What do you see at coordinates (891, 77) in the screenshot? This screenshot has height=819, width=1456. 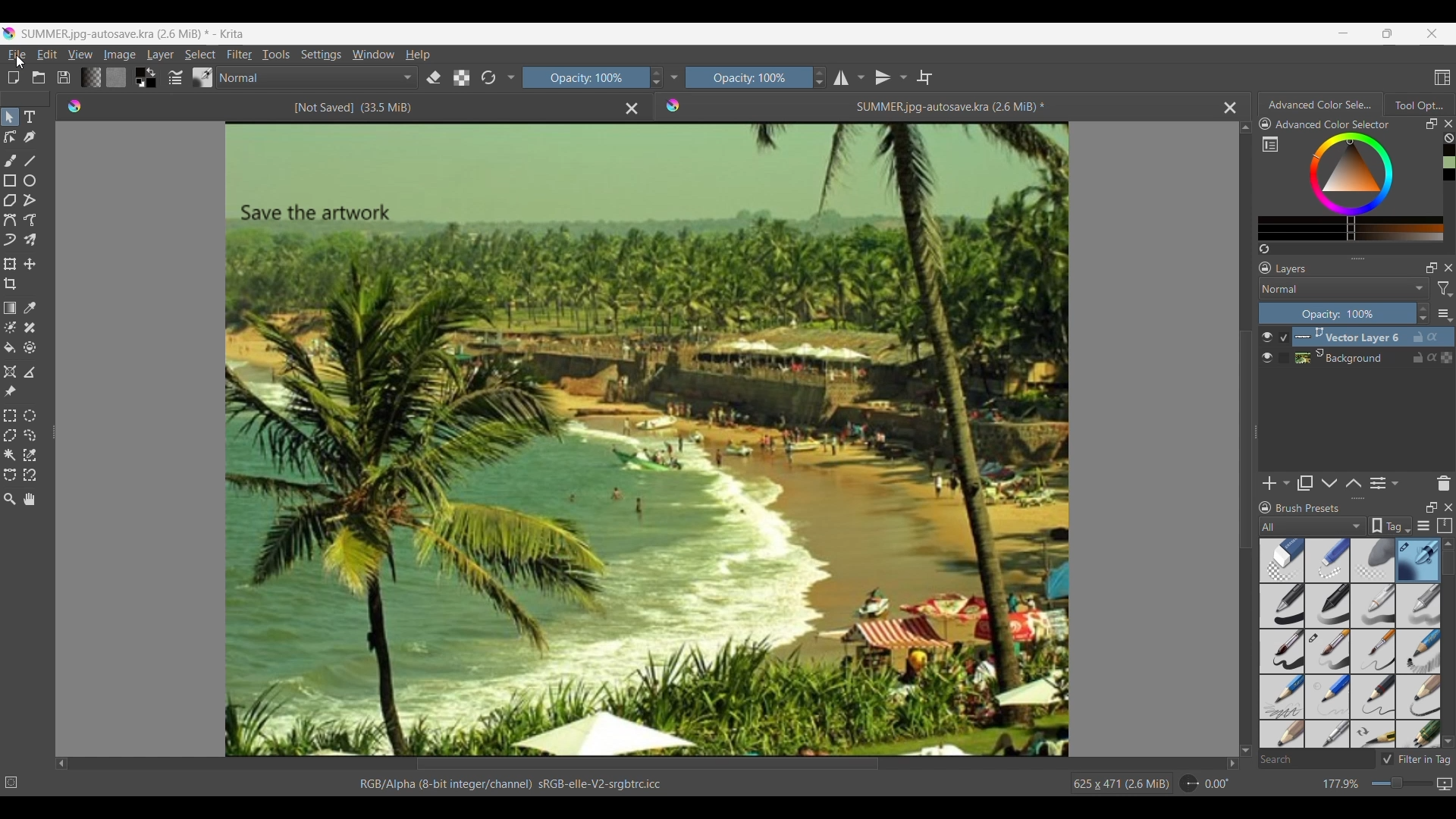 I see `Vertical mirror tool and options` at bounding box center [891, 77].